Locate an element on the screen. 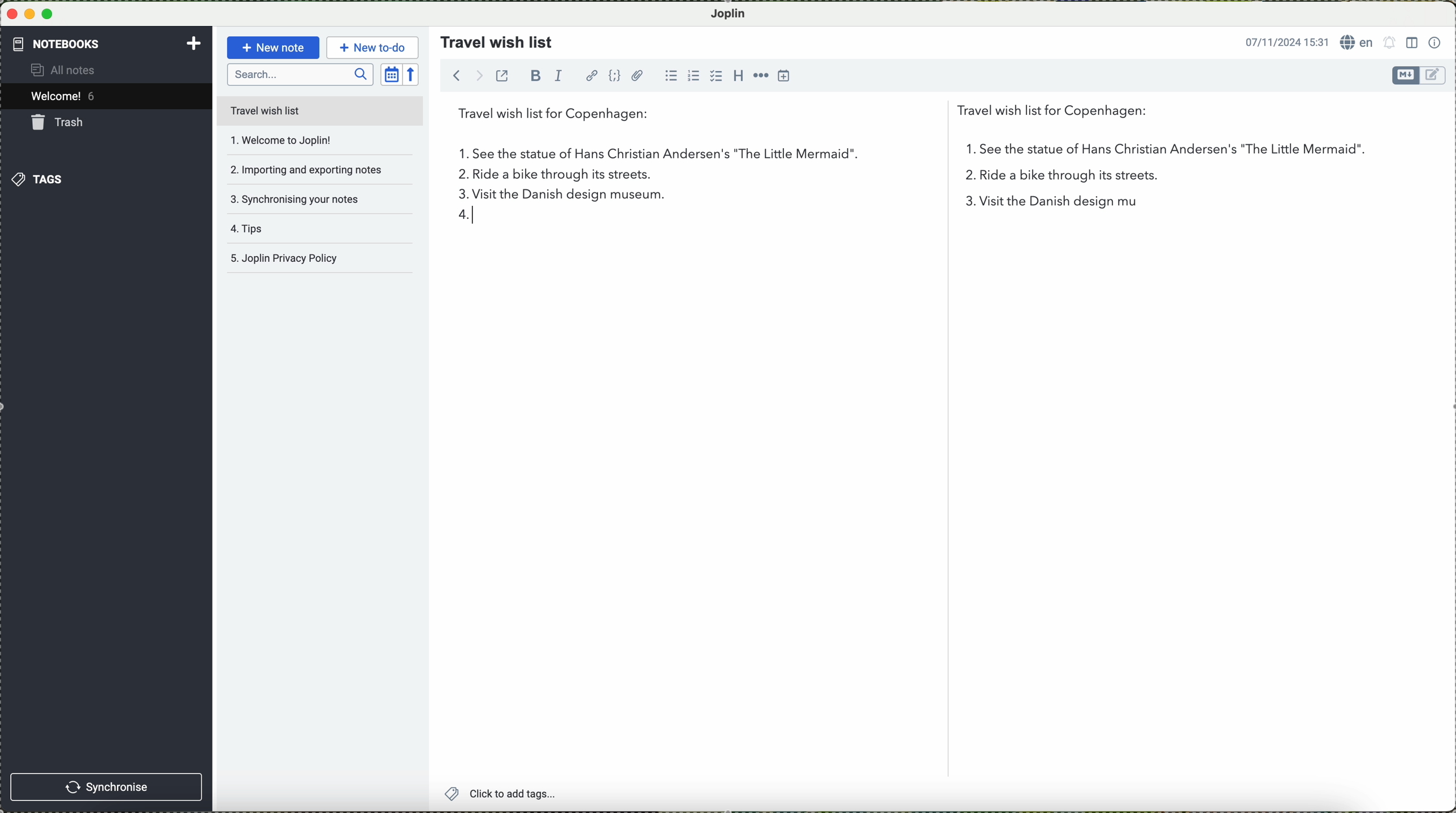 The width and height of the screenshot is (1456, 813). language is located at coordinates (1357, 42).